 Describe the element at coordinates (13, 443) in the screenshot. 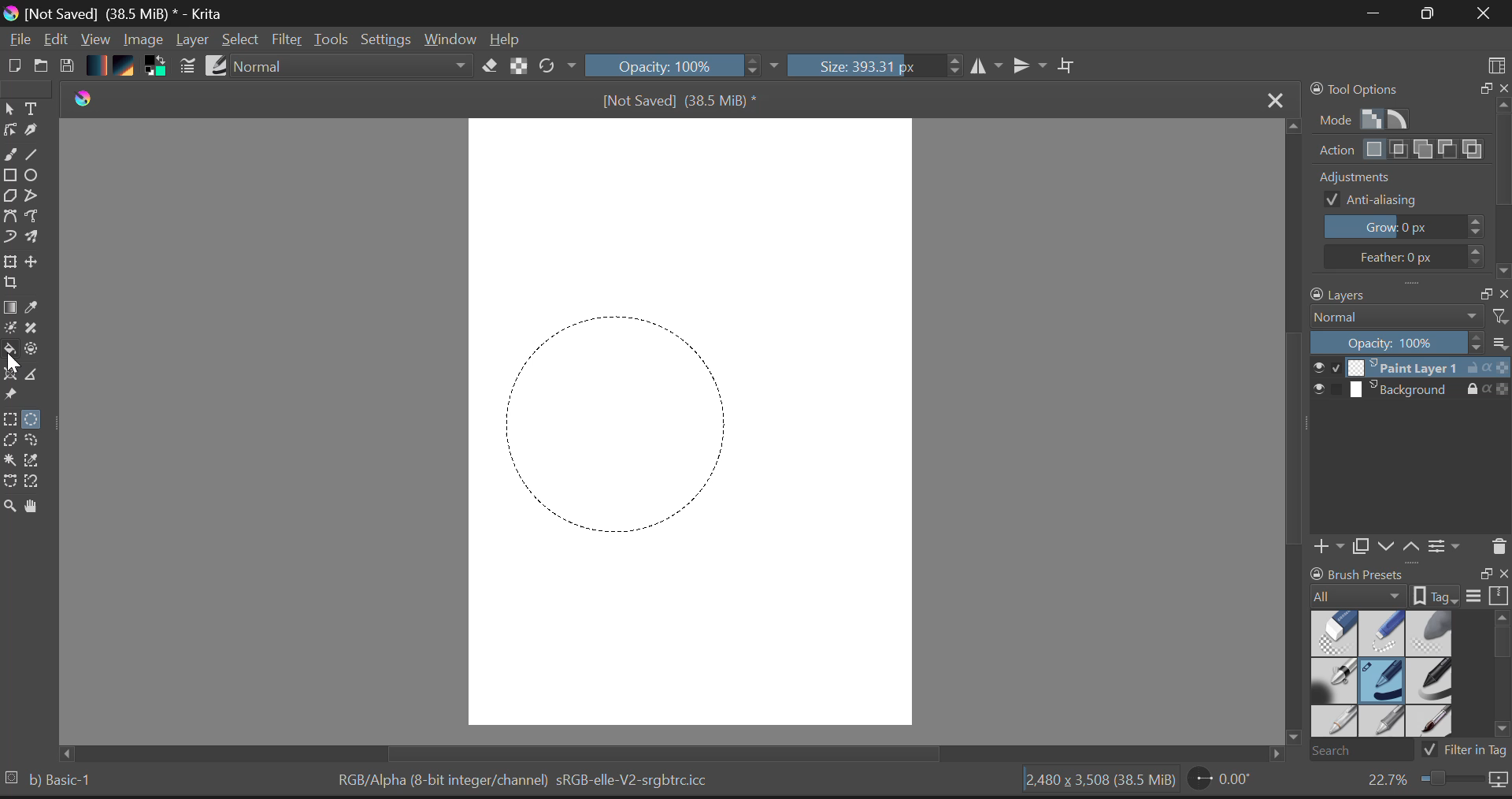

I see `Polygon Selection` at that location.